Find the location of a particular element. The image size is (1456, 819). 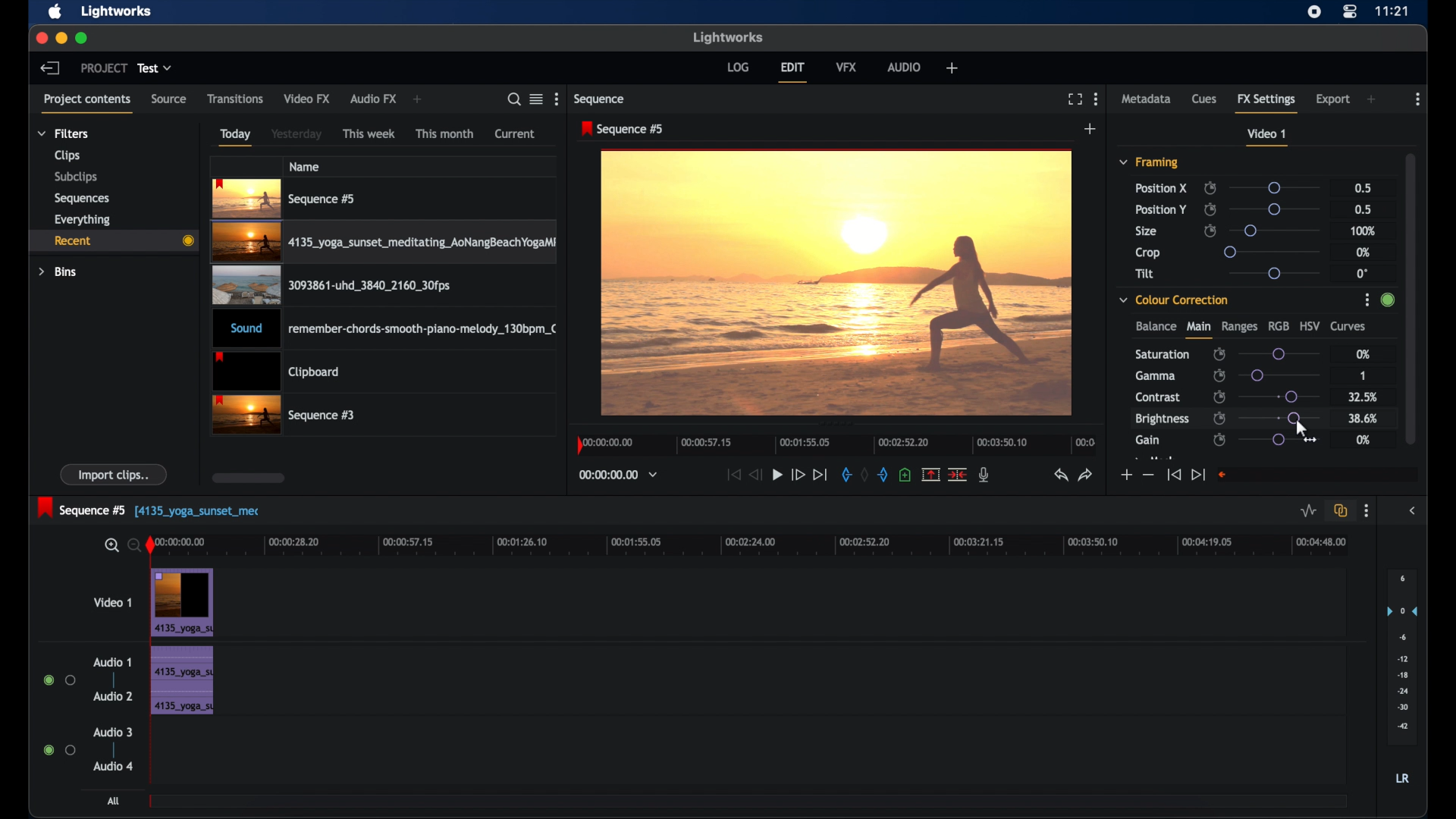

fx settings is located at coordinates (1266, 101).